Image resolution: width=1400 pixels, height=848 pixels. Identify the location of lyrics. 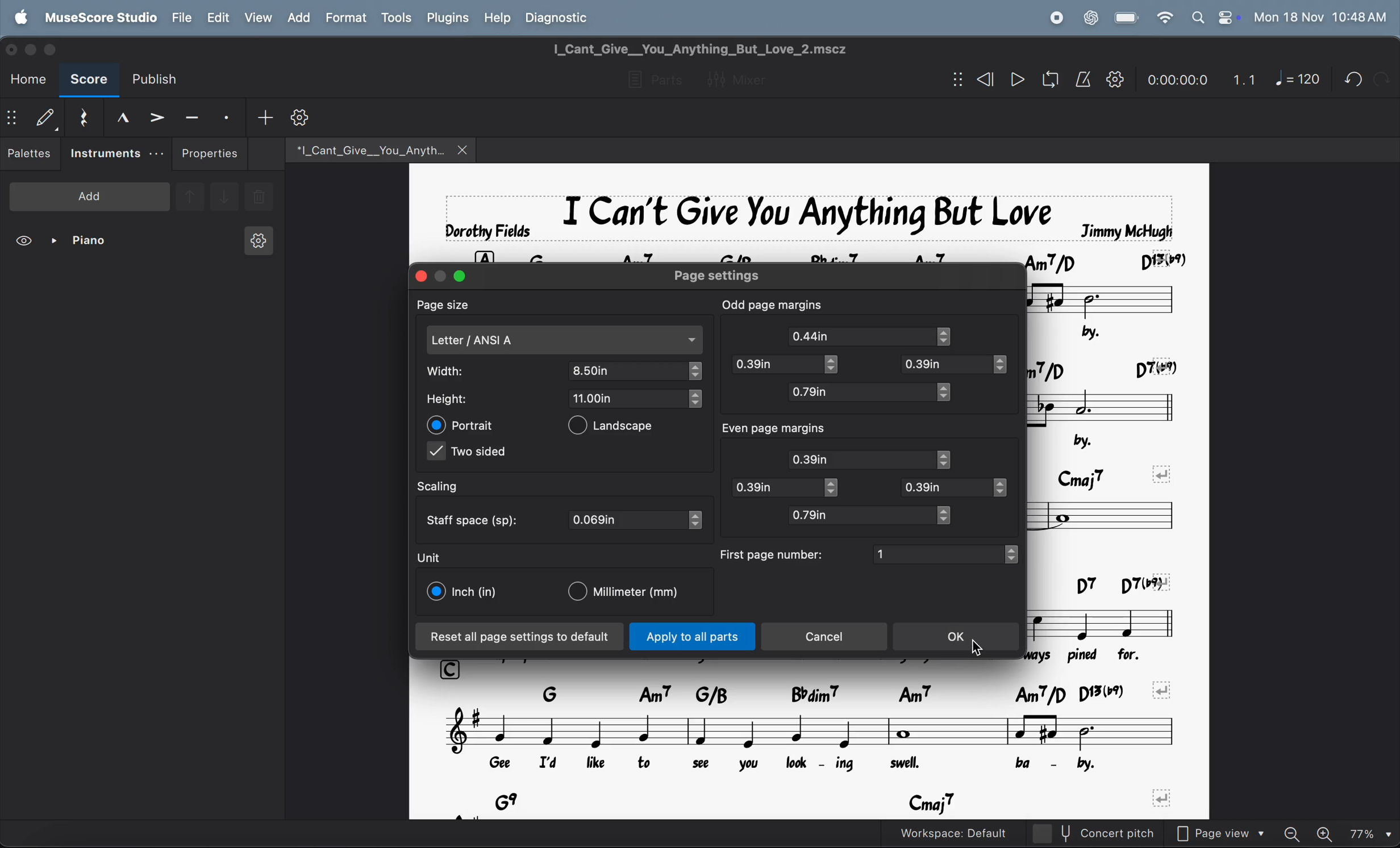
(1088, 437).